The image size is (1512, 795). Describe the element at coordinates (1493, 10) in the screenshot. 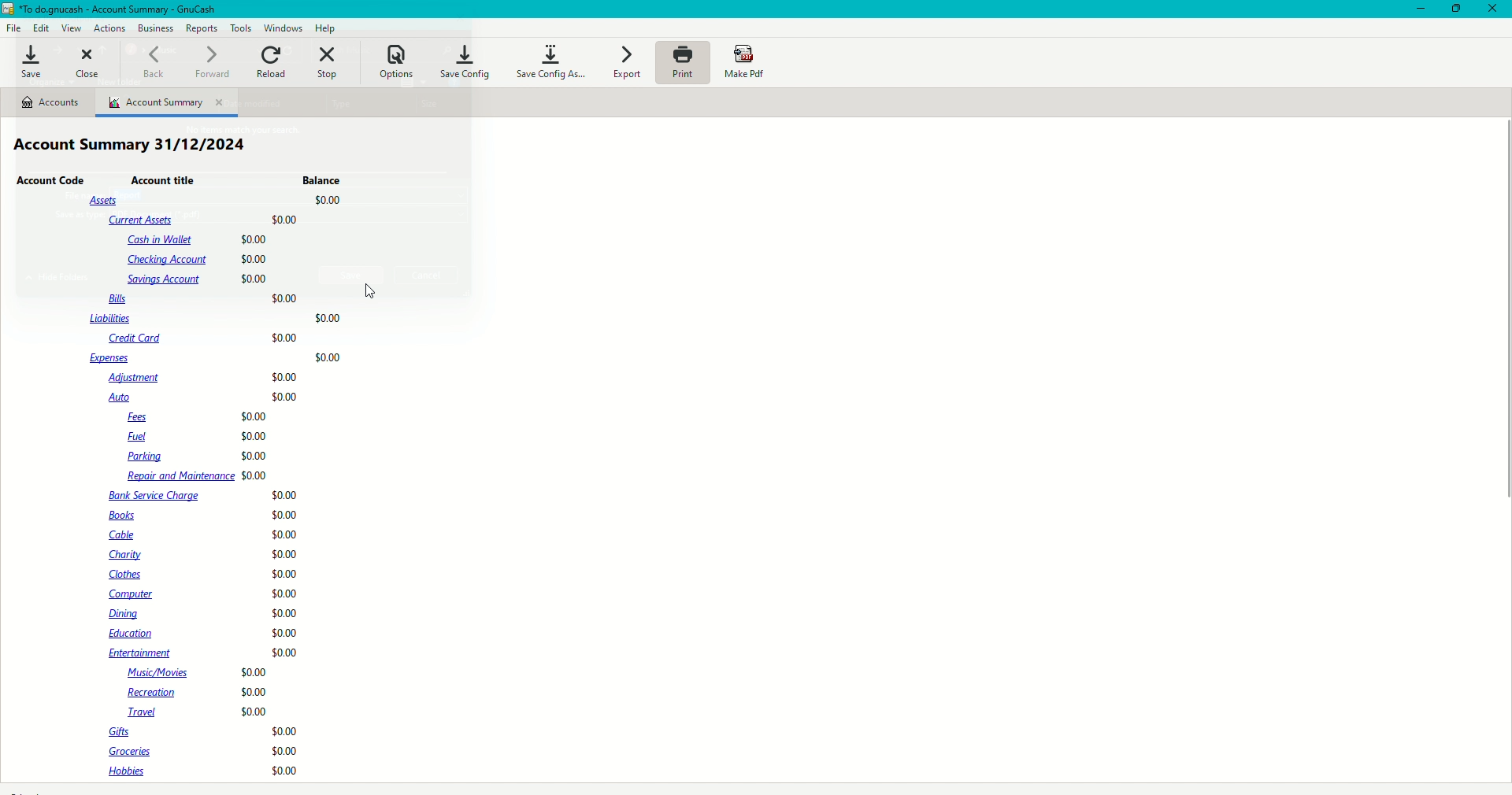

I see `Close` at that location.